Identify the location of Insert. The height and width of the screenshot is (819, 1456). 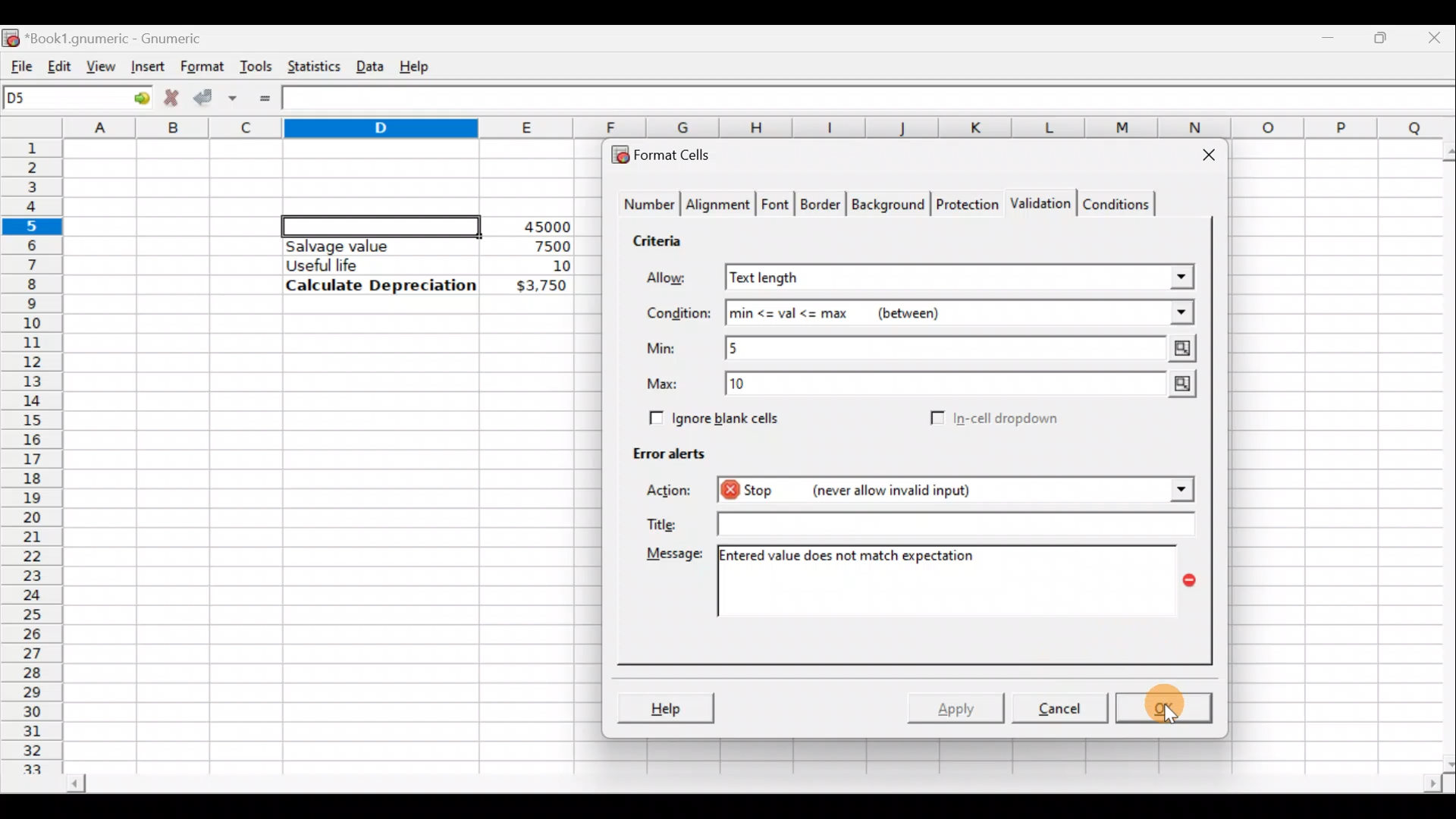
(146, 66).